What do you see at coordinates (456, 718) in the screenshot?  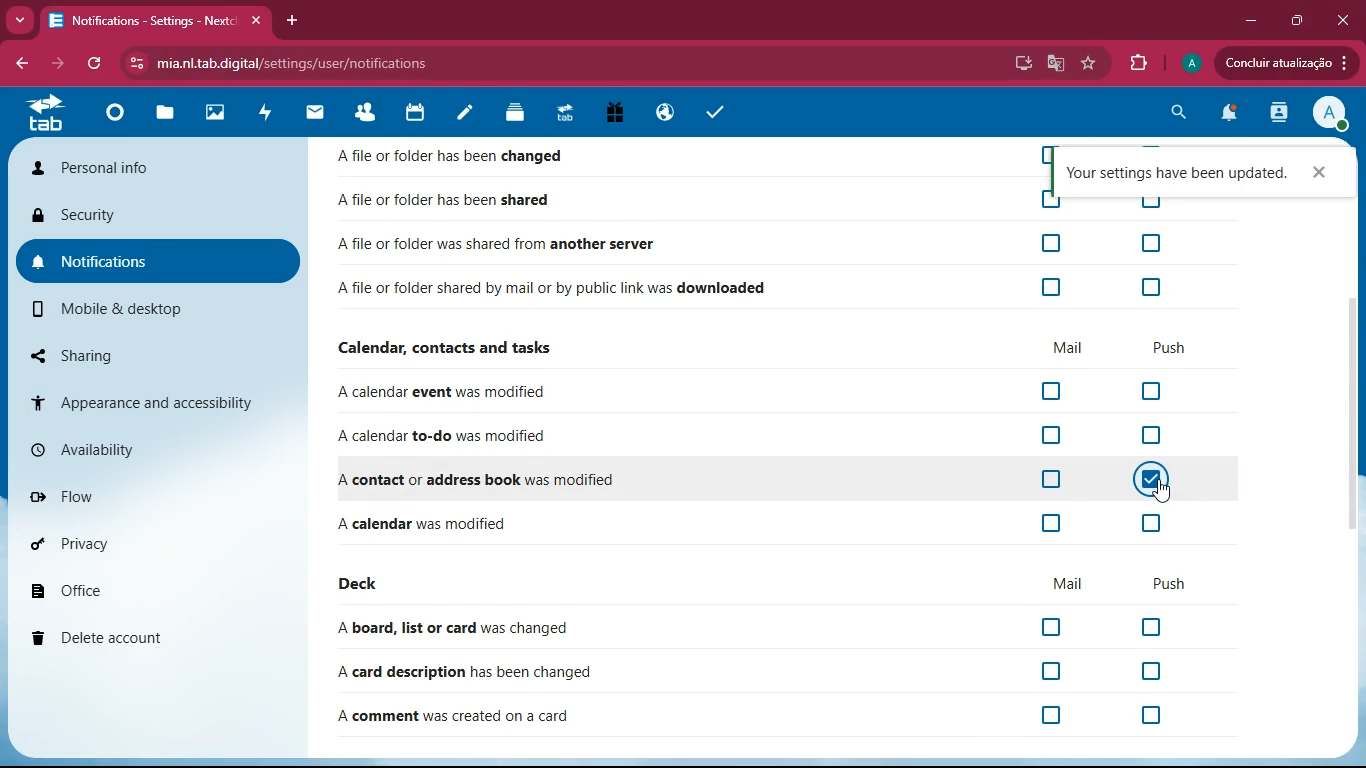 I see `A comment was created on a card` at bounding box center [456, 718].